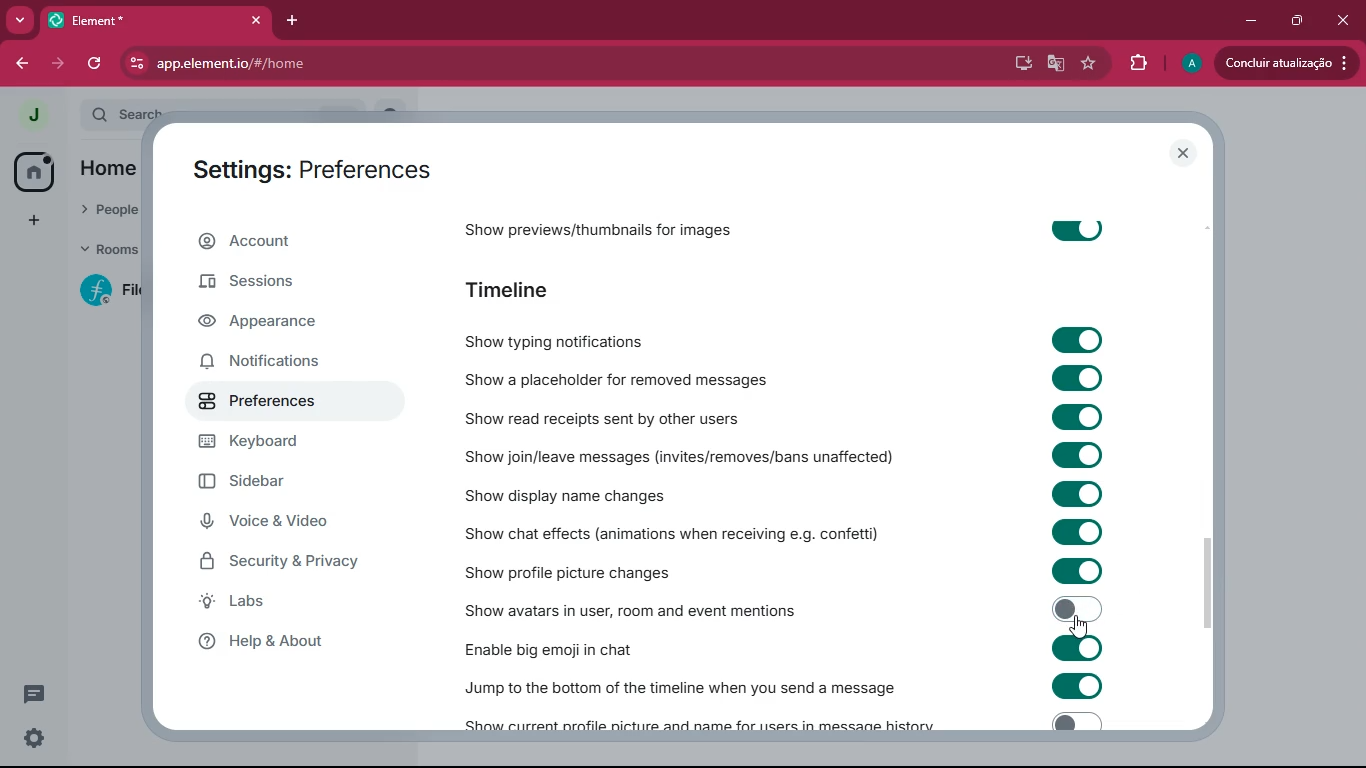  I want to click on search, so click(130, 111).